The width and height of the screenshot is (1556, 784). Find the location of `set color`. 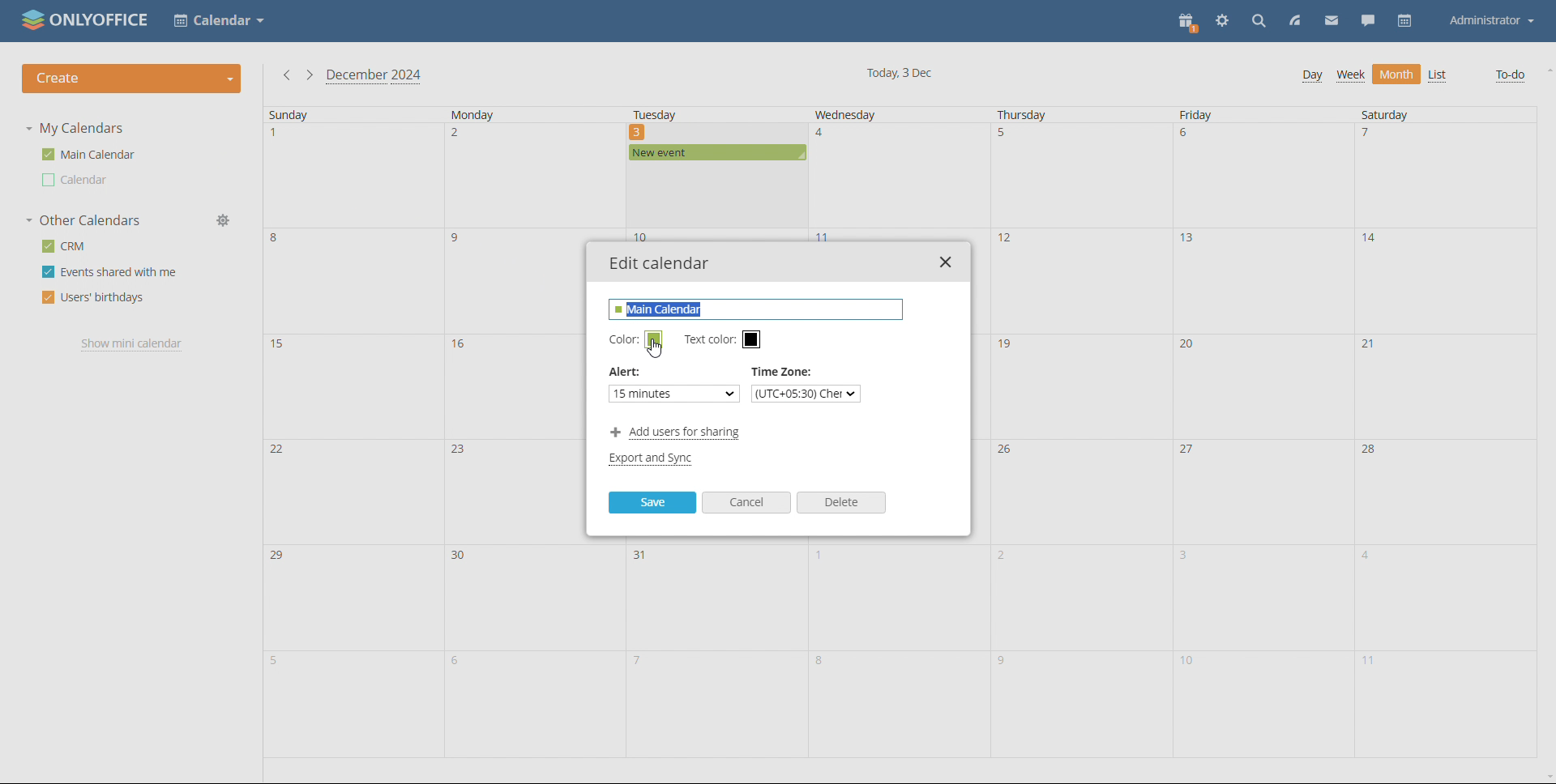

set color is located at coordinates (654, 339).